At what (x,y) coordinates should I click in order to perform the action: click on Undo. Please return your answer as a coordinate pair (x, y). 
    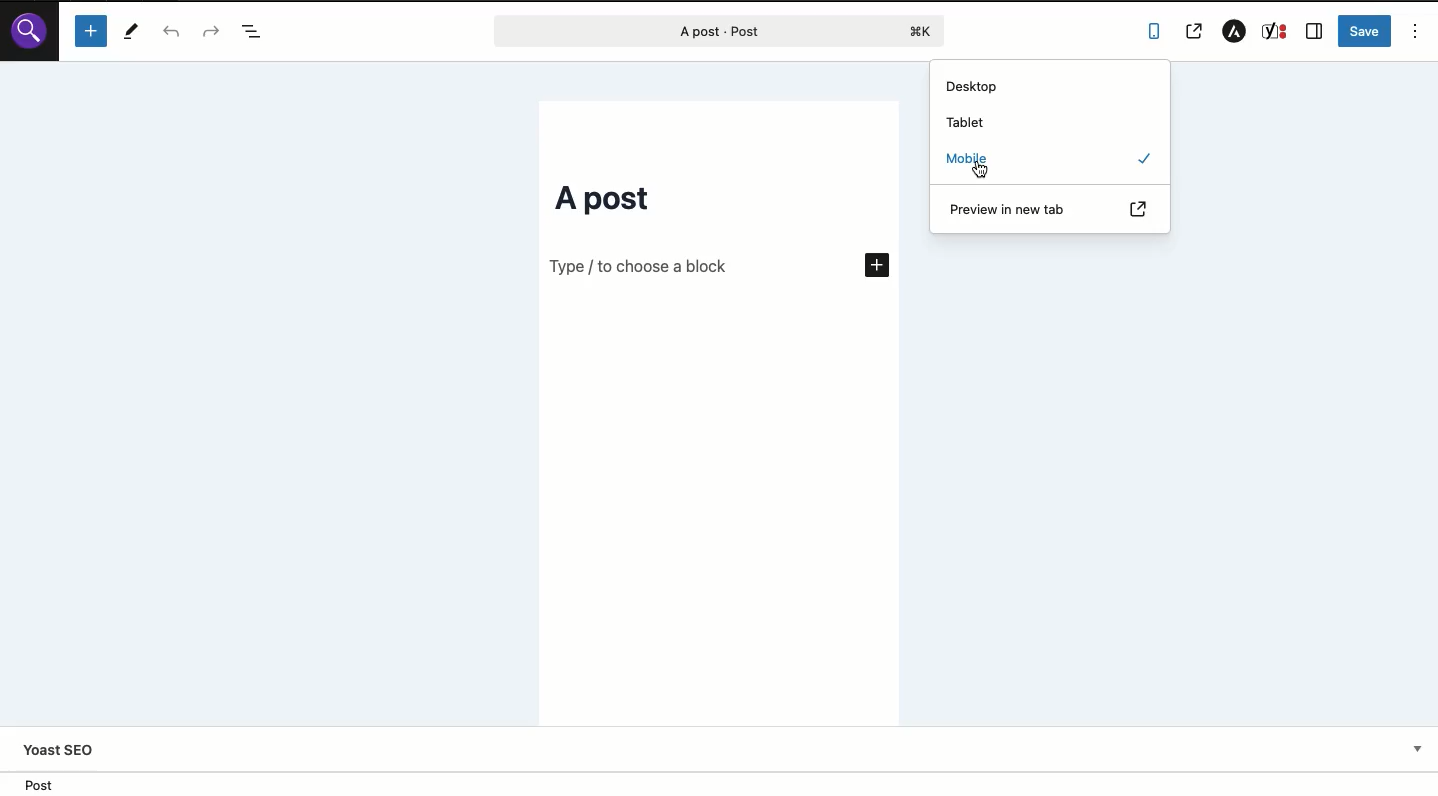
    Looking at the image, I should click on (171, 31).